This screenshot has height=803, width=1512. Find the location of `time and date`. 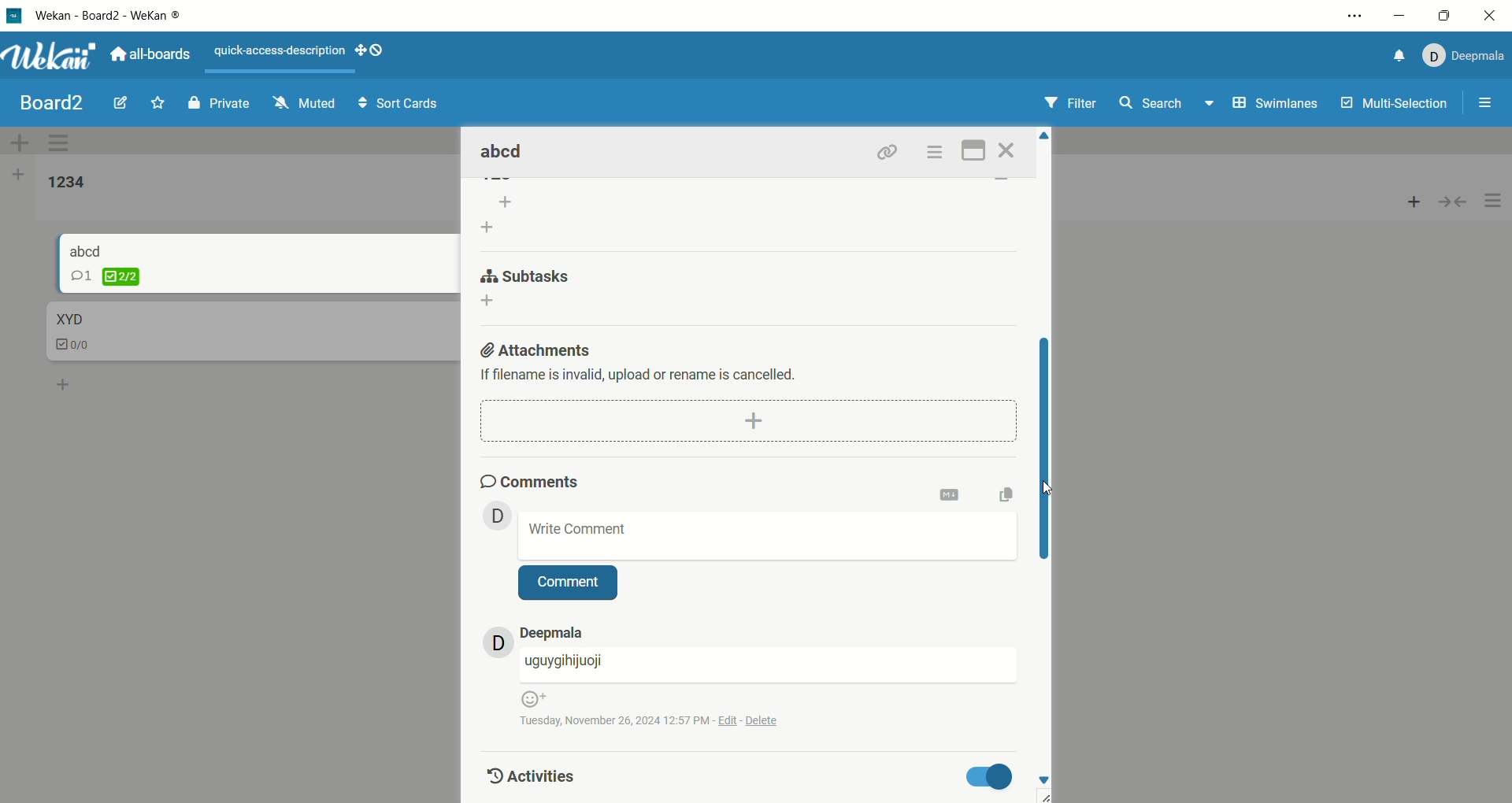

time and date is located at coordinates (660, 719).